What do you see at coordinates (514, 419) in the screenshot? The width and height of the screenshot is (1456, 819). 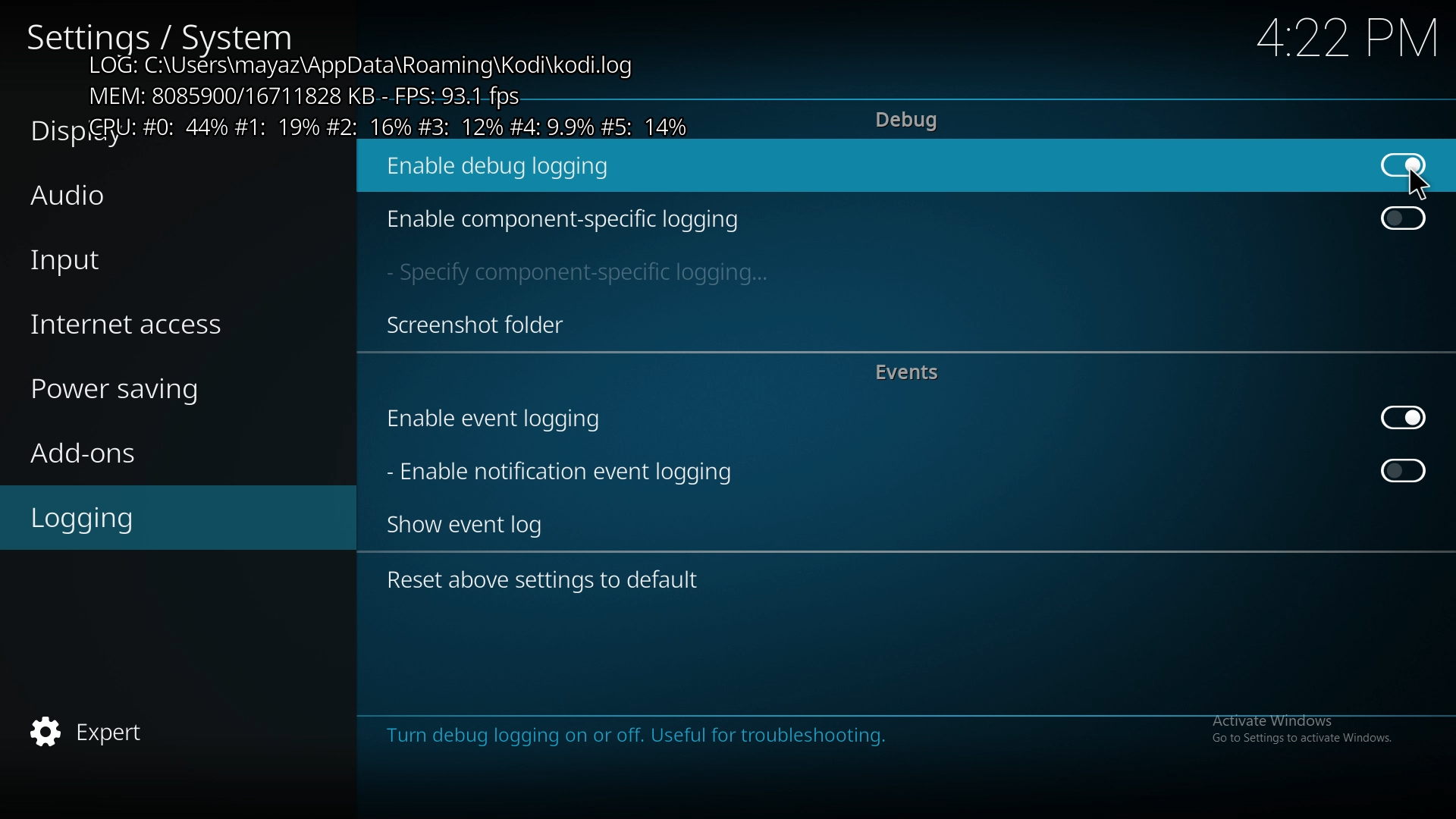 I see `enable event logging` at bounding box center [514, 419].